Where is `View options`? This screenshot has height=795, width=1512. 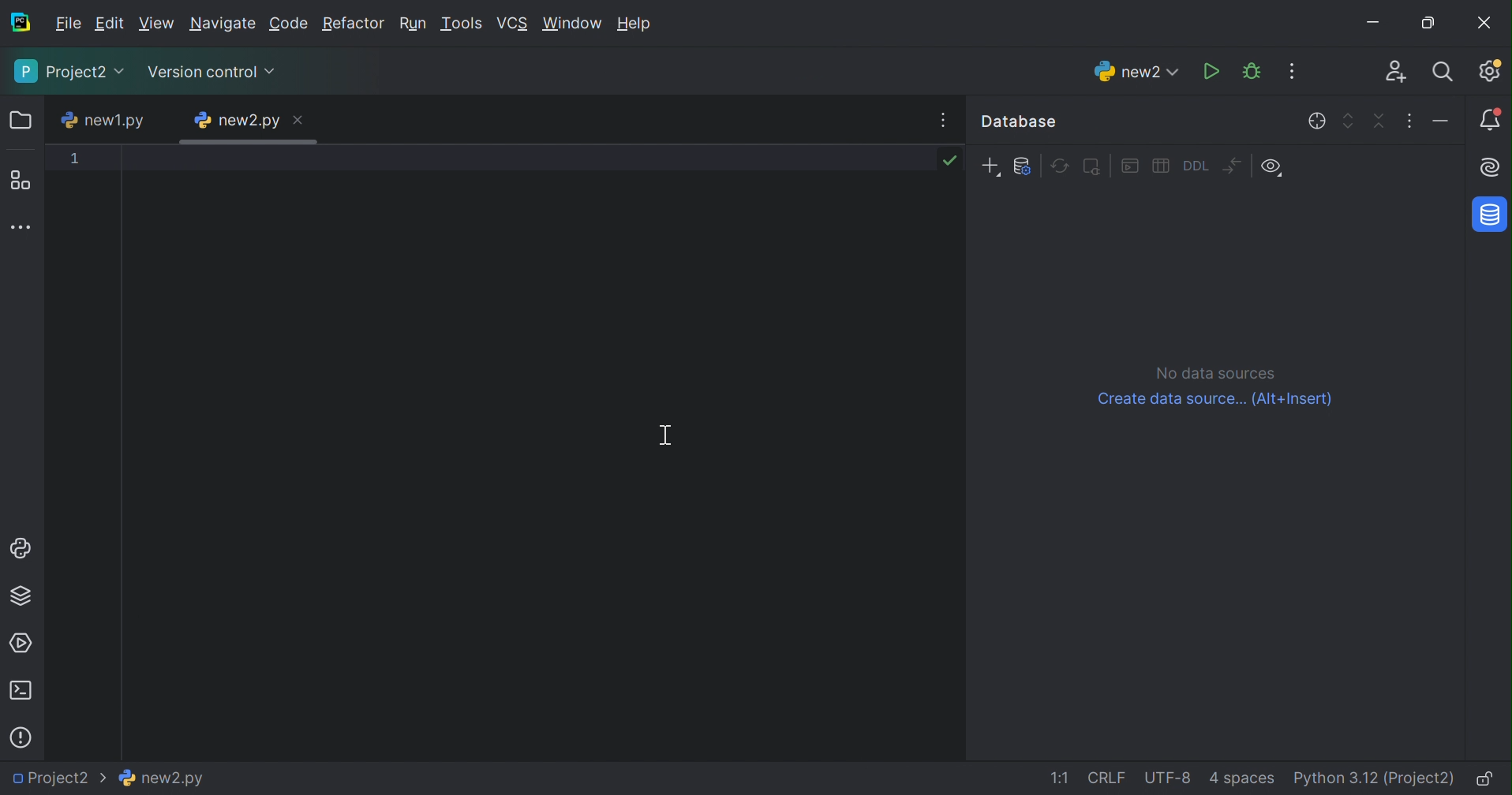
View options is located at coordinates (1272, 168).